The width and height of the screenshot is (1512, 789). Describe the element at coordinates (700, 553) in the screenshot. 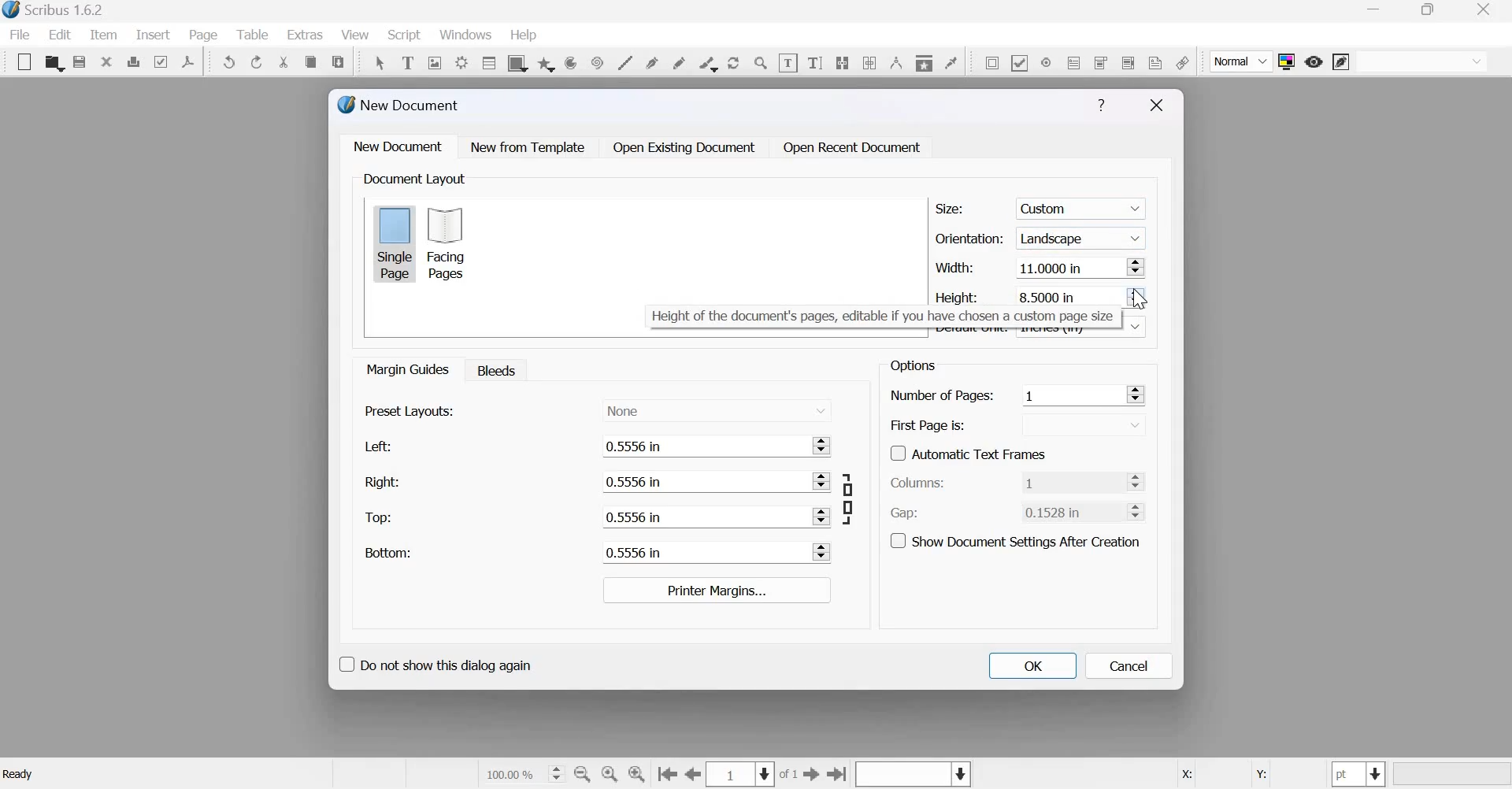

I see `0.5556 in` at that location.